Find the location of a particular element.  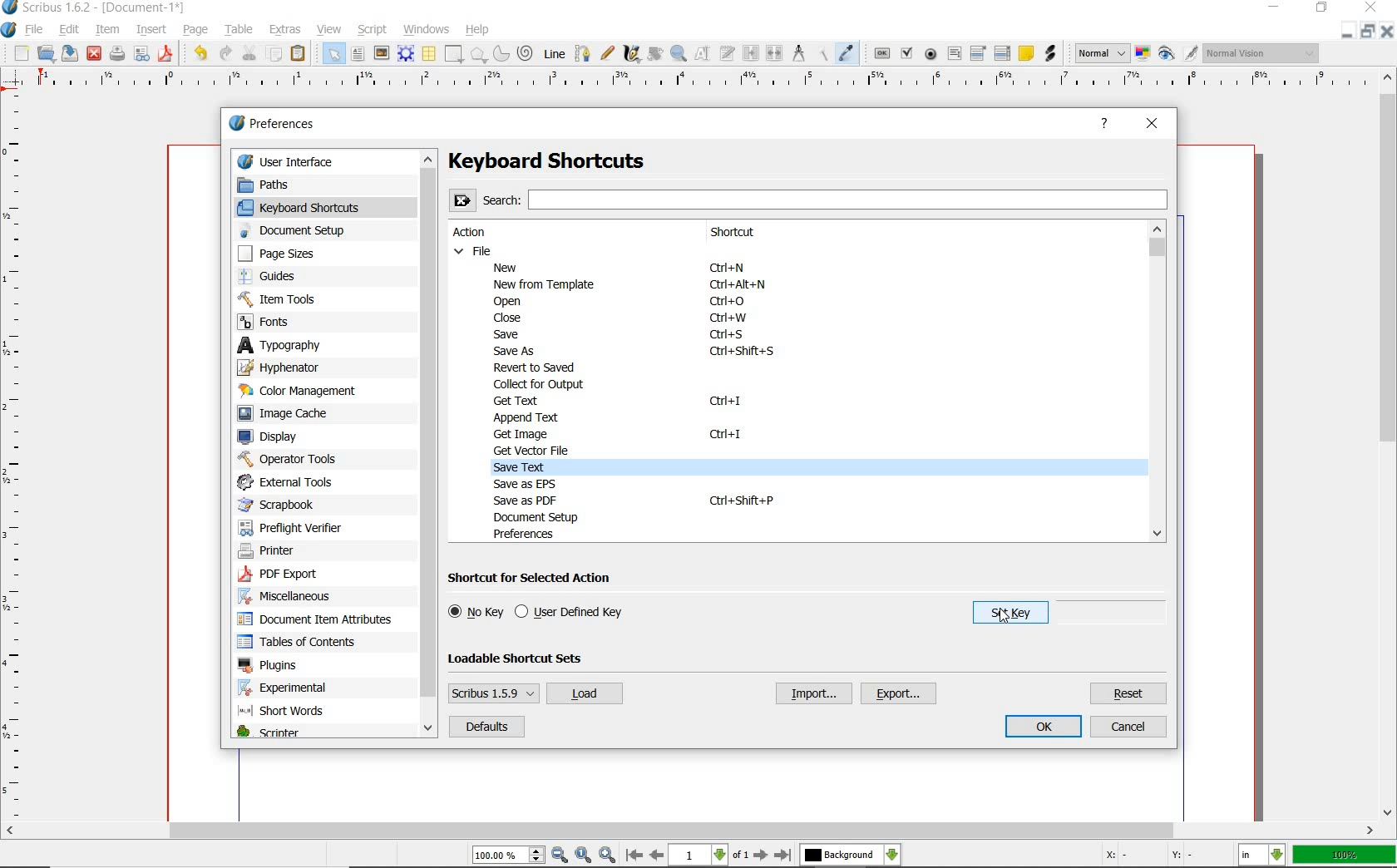

 is located at coordinates (141, 57).